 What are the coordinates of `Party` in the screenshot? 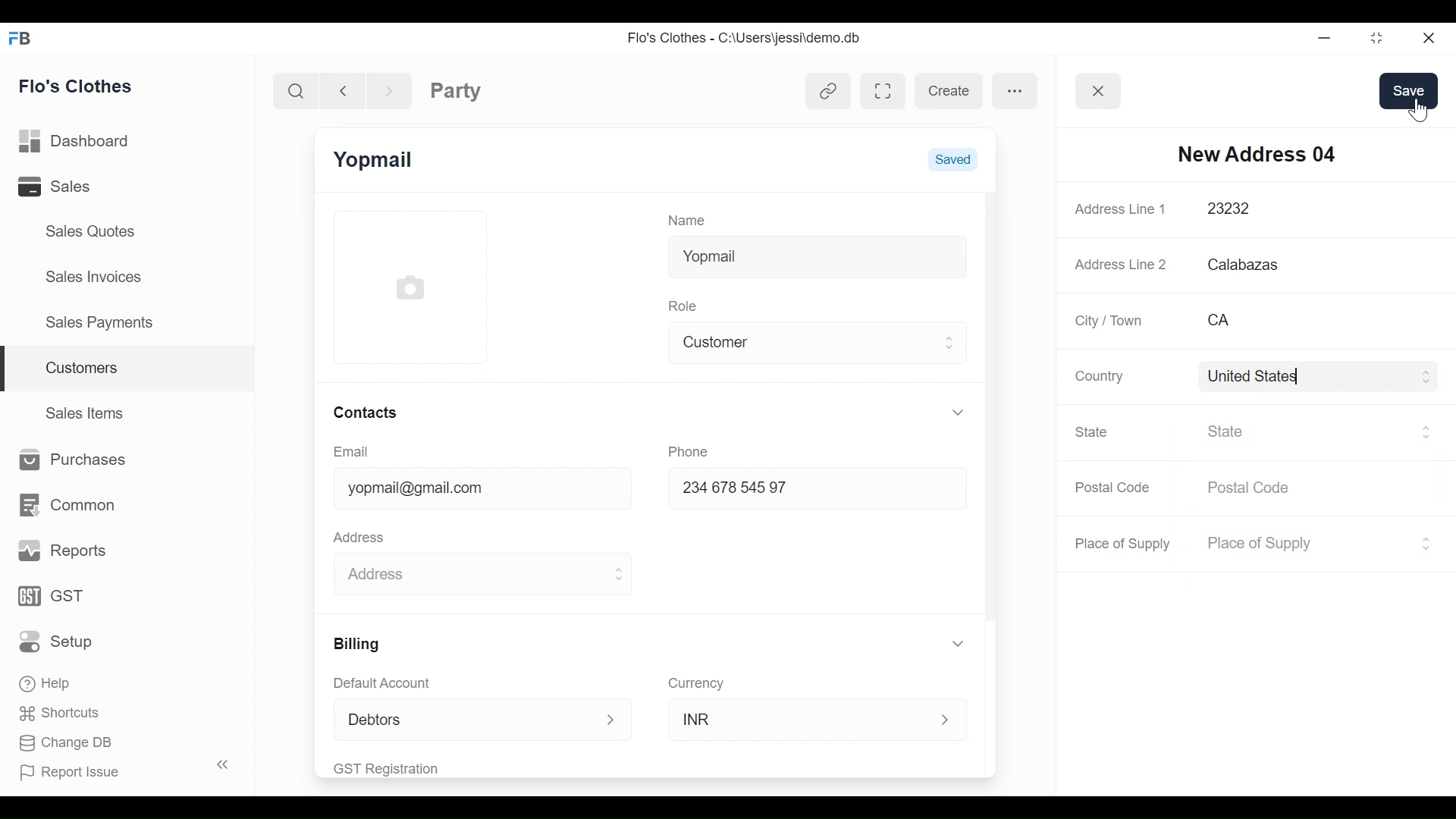 It's located at (456, 90).